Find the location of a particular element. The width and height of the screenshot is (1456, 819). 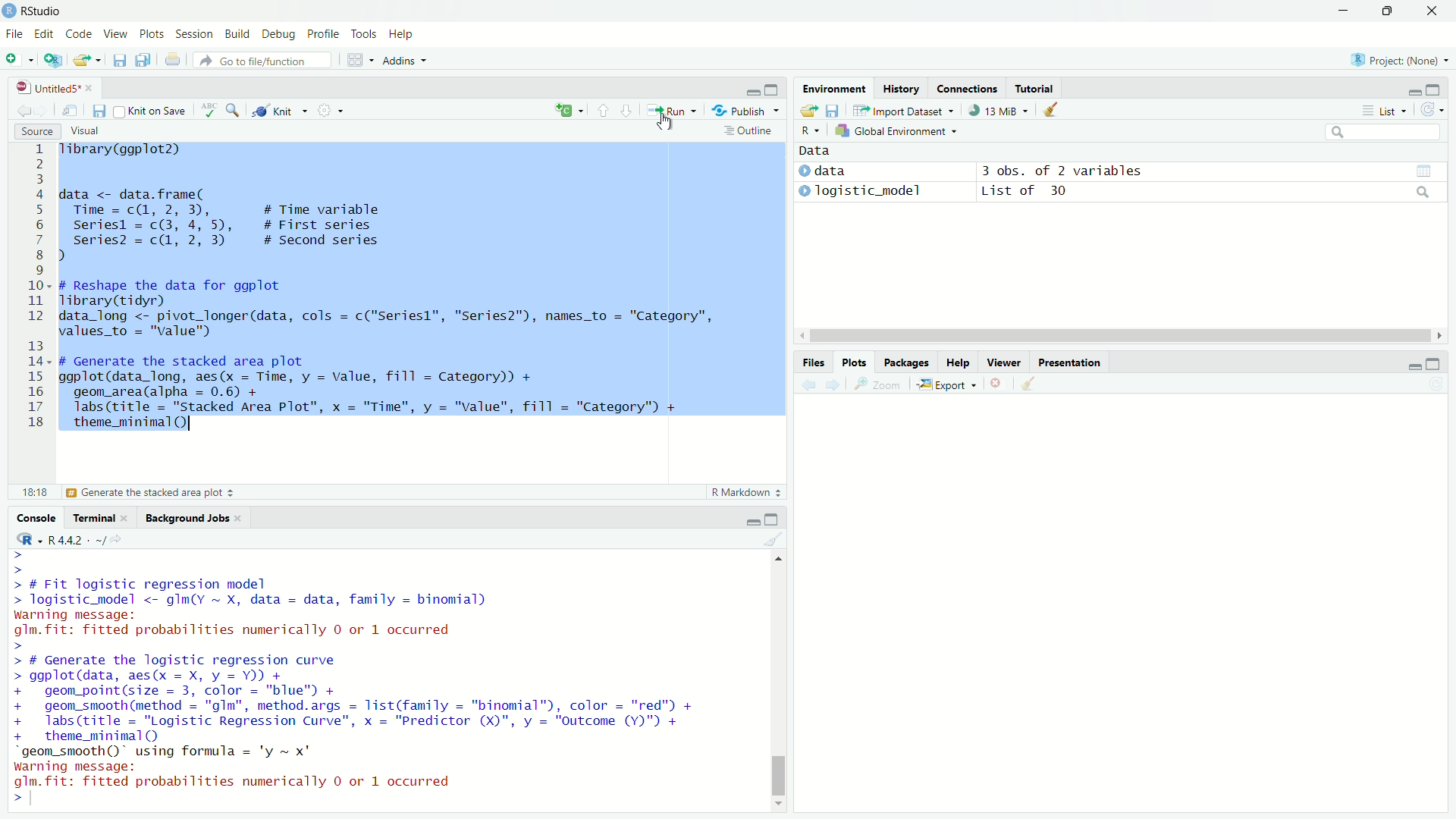

Data is located at coordinates (814, 151).